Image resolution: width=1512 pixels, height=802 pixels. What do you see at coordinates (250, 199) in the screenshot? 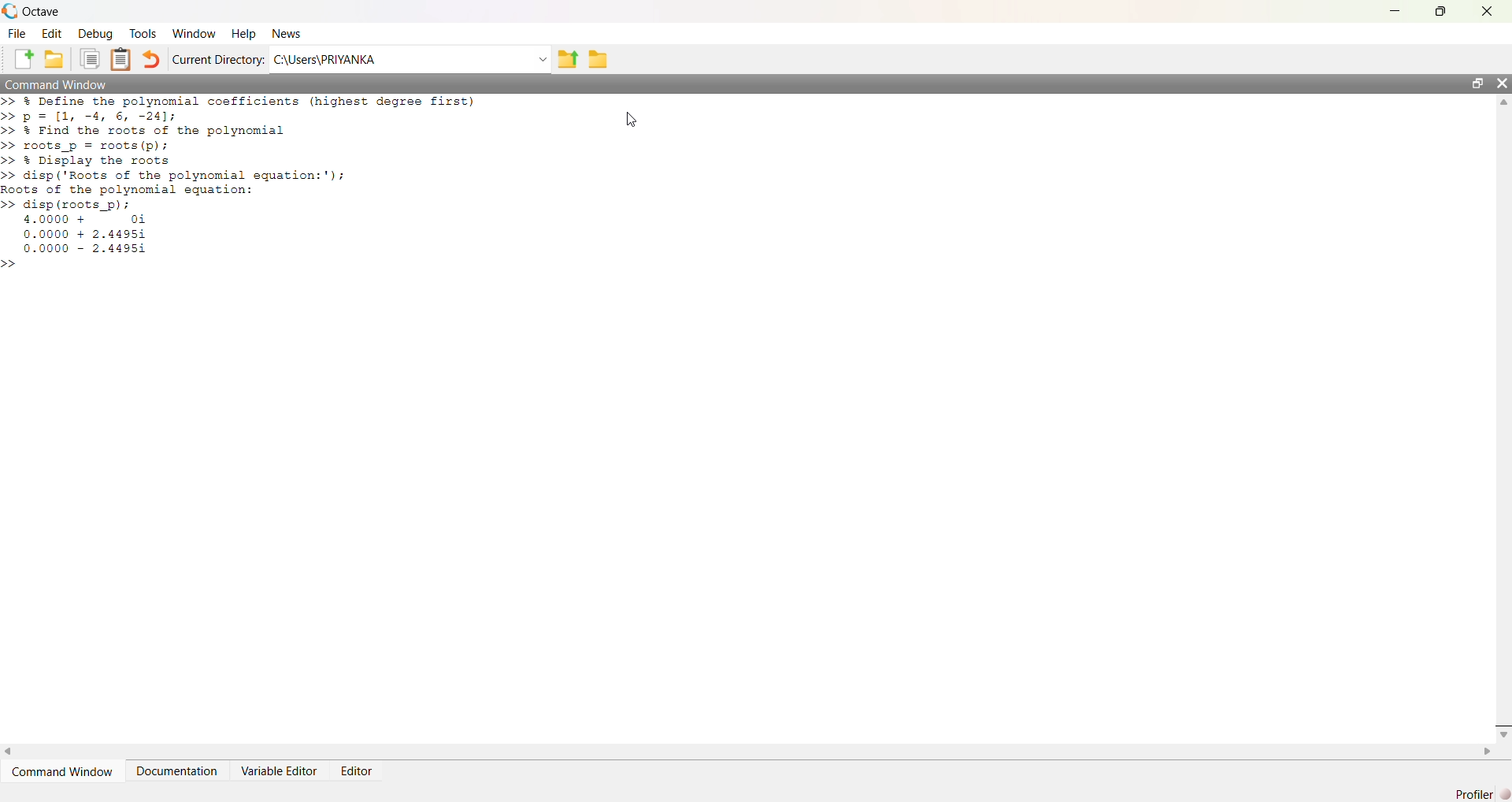
I see `>> & Define the polynomial coefficients (highest degree first)> p= [1, -4, 6, -241;> 3 Find the roots of the polynomial> roots_p = roots (p);> & Display the roots> disp ('Roots of the polynomial equation:');oots of the polynomial equation:> disp (roots_p) ;4.0000 + 0i0.0000 + 2.449510.0000 - 2.4495i>` at bounding box center [250, 199].